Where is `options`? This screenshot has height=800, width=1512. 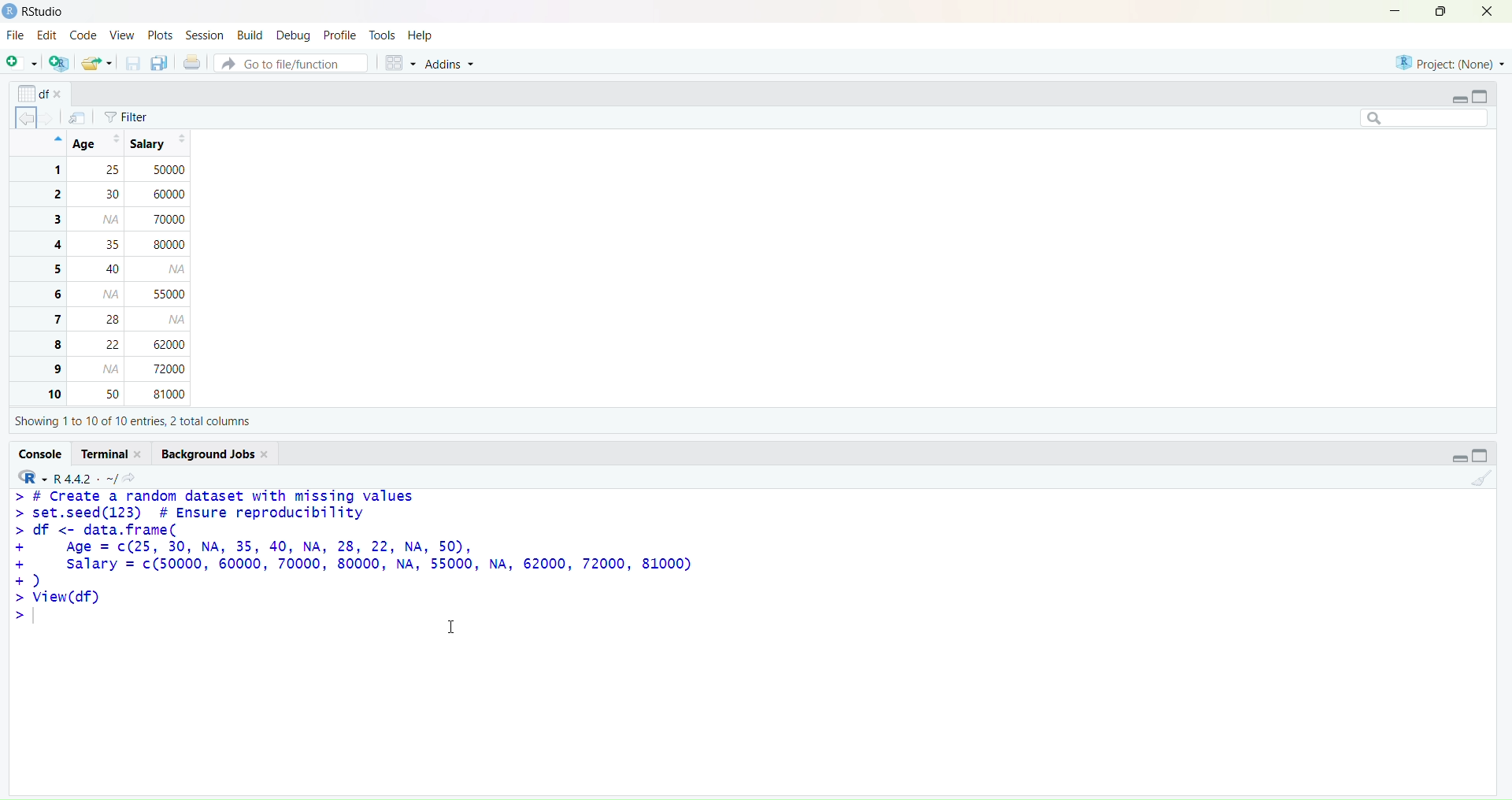 options is located at coordinates (77, 118).